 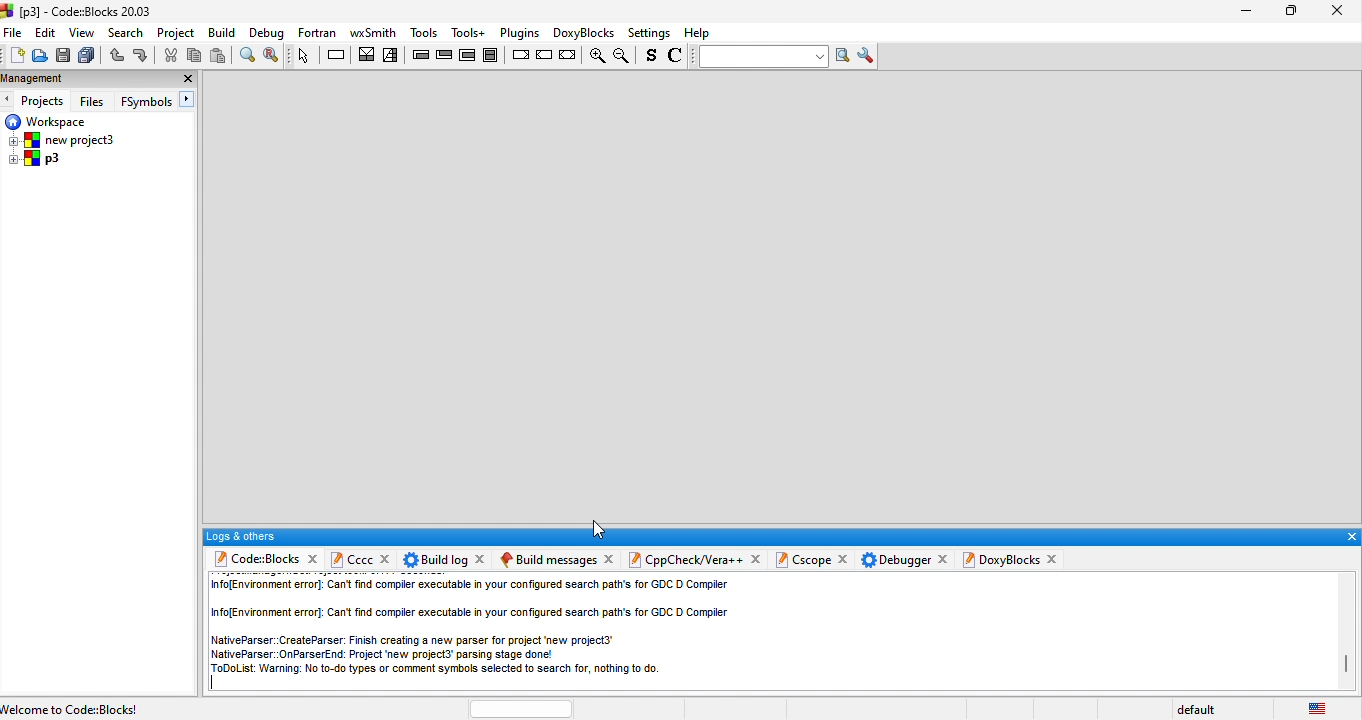 I want to click on United states (english), so click(x=1320, y=706).